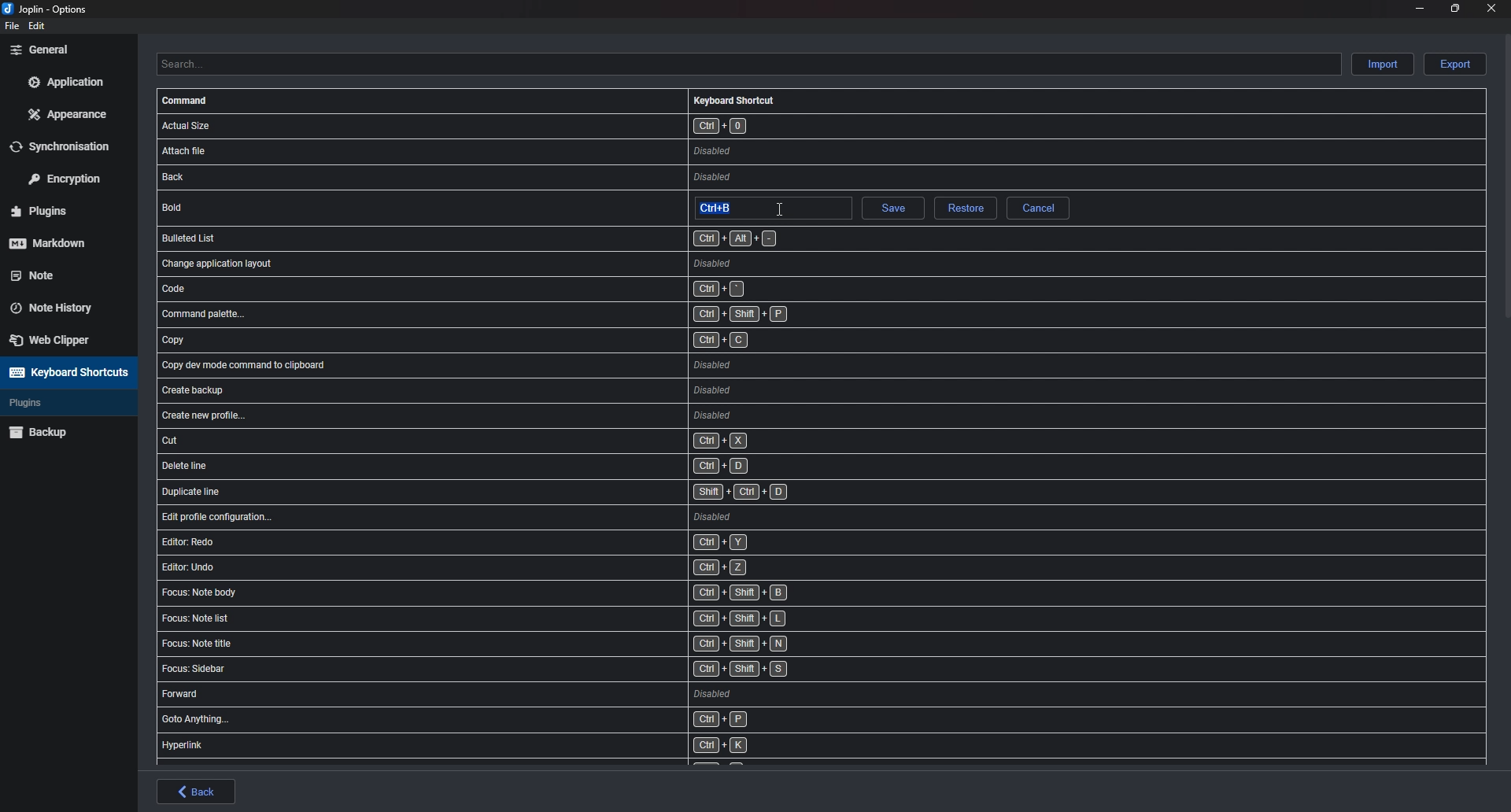 This screenshot has width=1511, height=812. I want to click on shortcut, so click(510, 745).